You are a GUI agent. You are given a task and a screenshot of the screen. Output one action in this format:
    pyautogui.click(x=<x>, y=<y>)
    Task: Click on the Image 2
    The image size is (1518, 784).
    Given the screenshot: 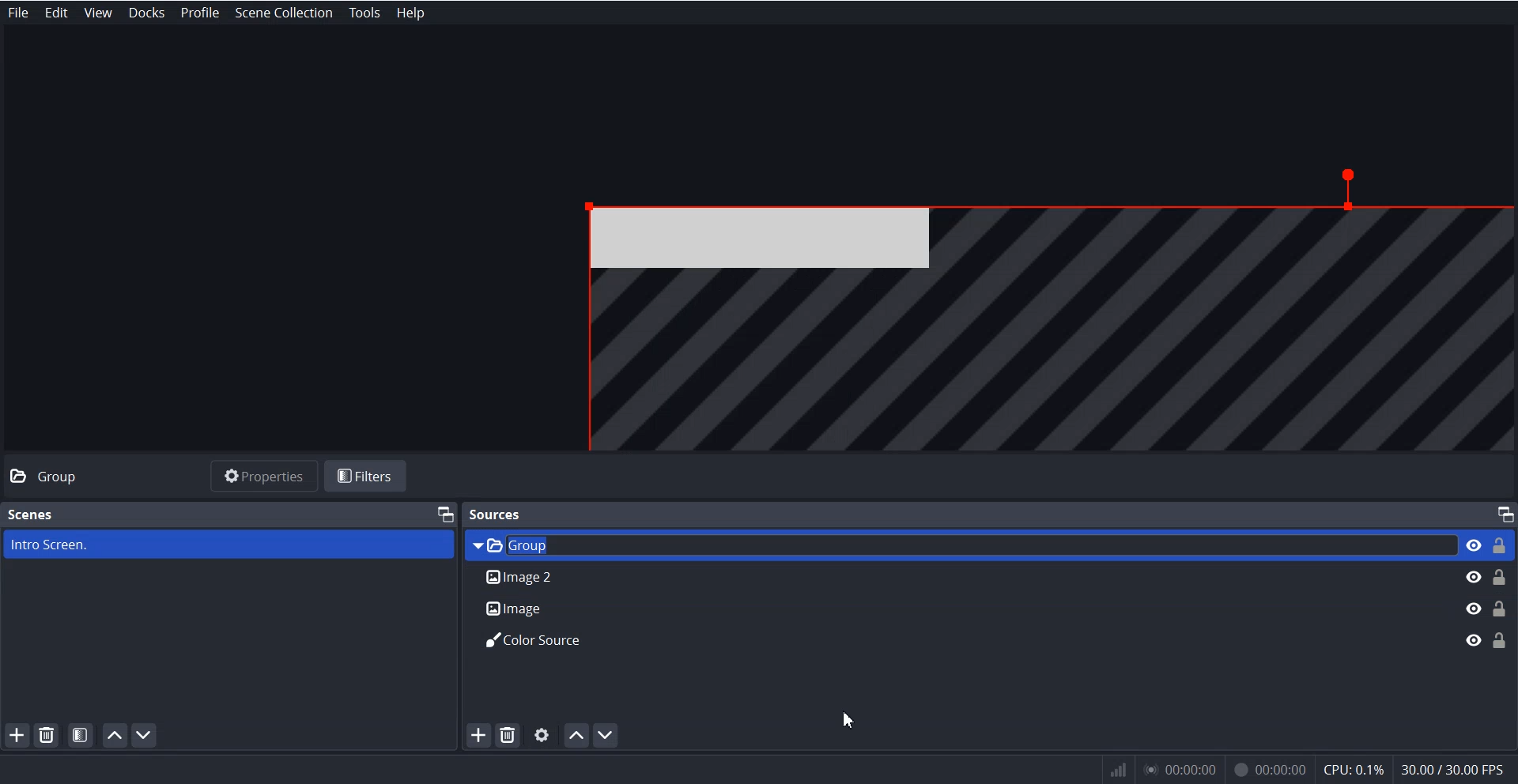 What is the action you would take?
    pyautogui.click(x=956, y=579)
    